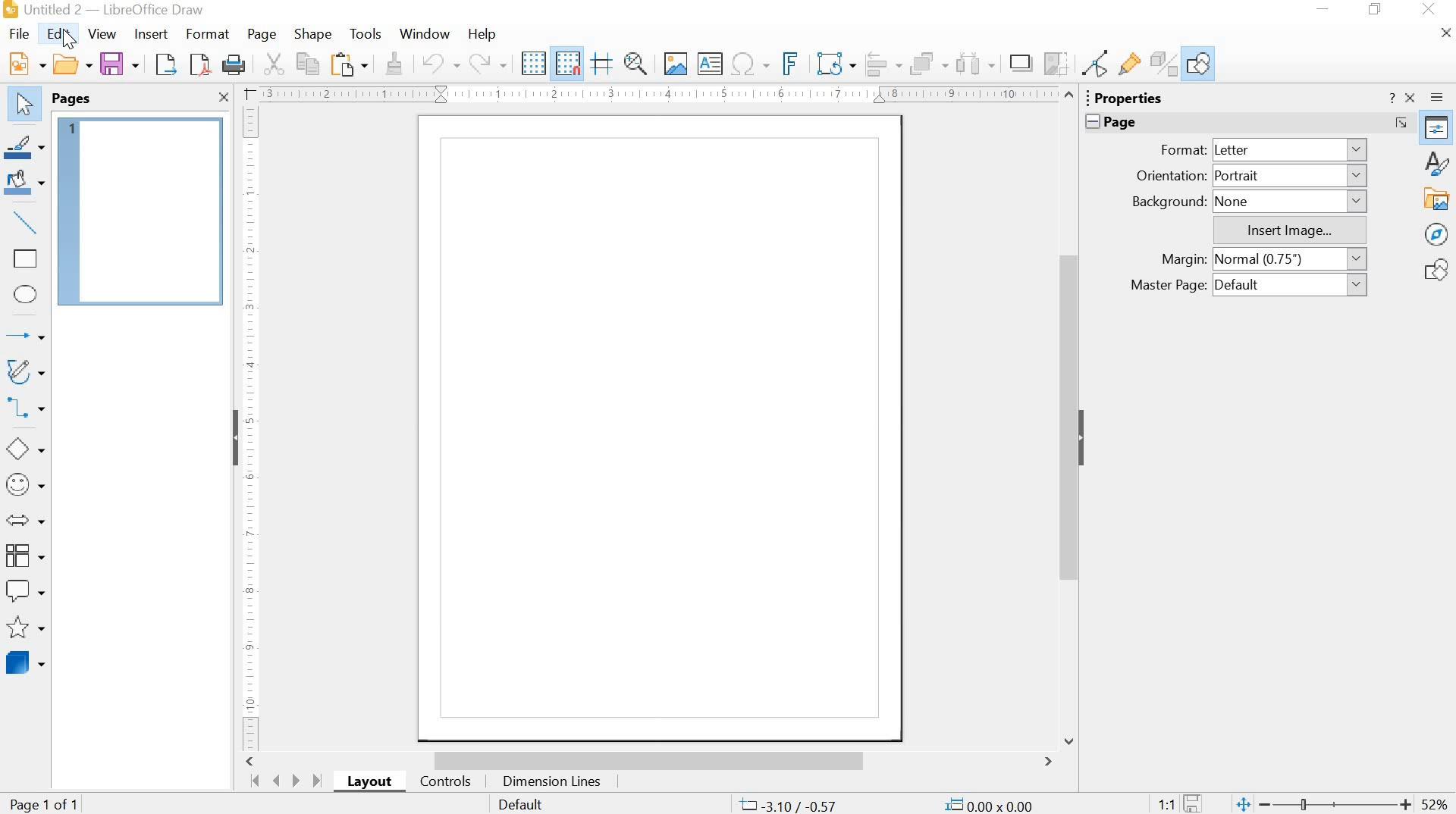 This screenshot has width=1456, height=814. What do you see at coordinates (1392, 98) in the screenshot?
I see `Help about this sidebar deck` at bounding box center [1392, 98].